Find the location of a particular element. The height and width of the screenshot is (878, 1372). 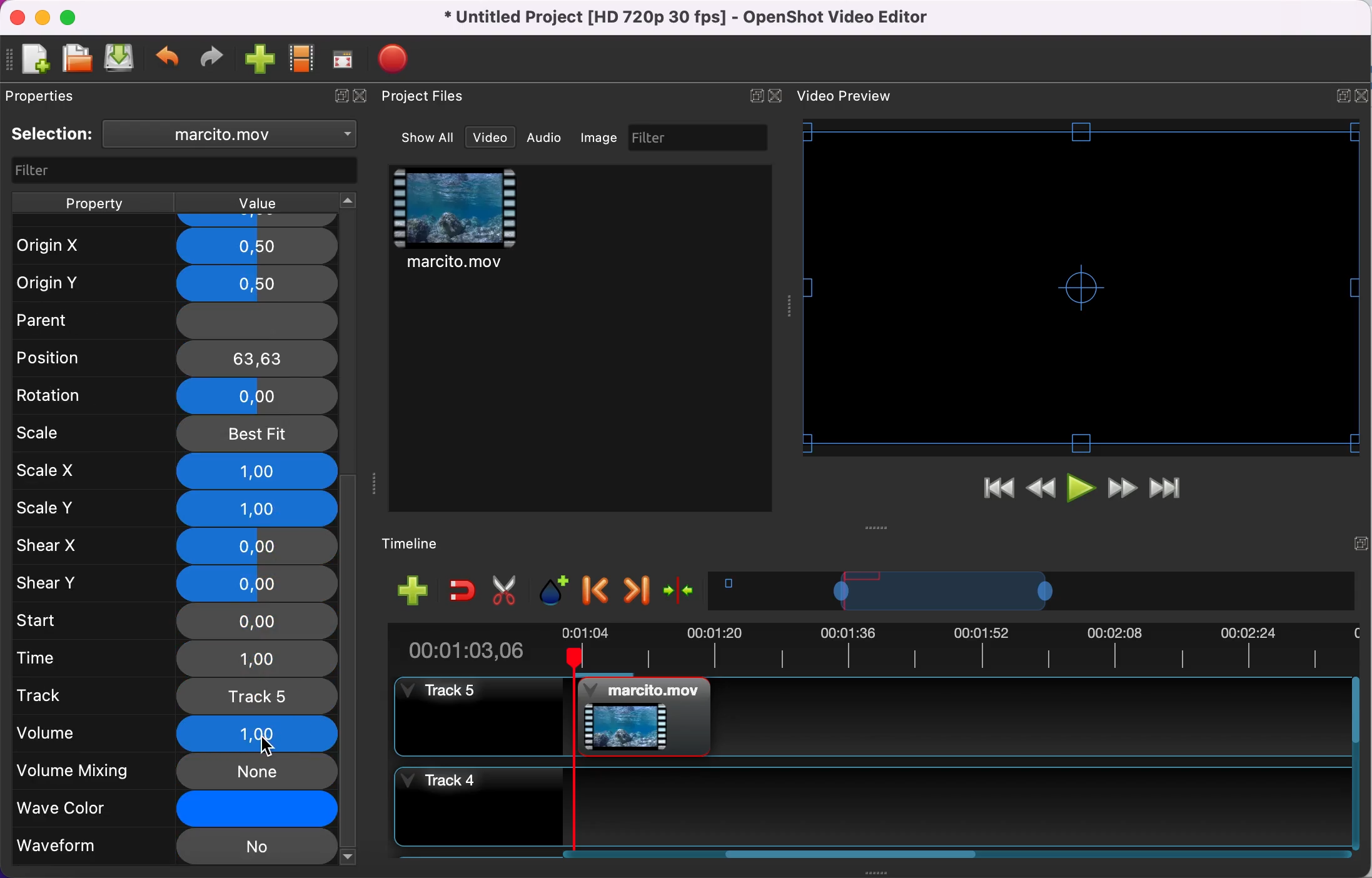

show all is located at coordinates (429, 138).